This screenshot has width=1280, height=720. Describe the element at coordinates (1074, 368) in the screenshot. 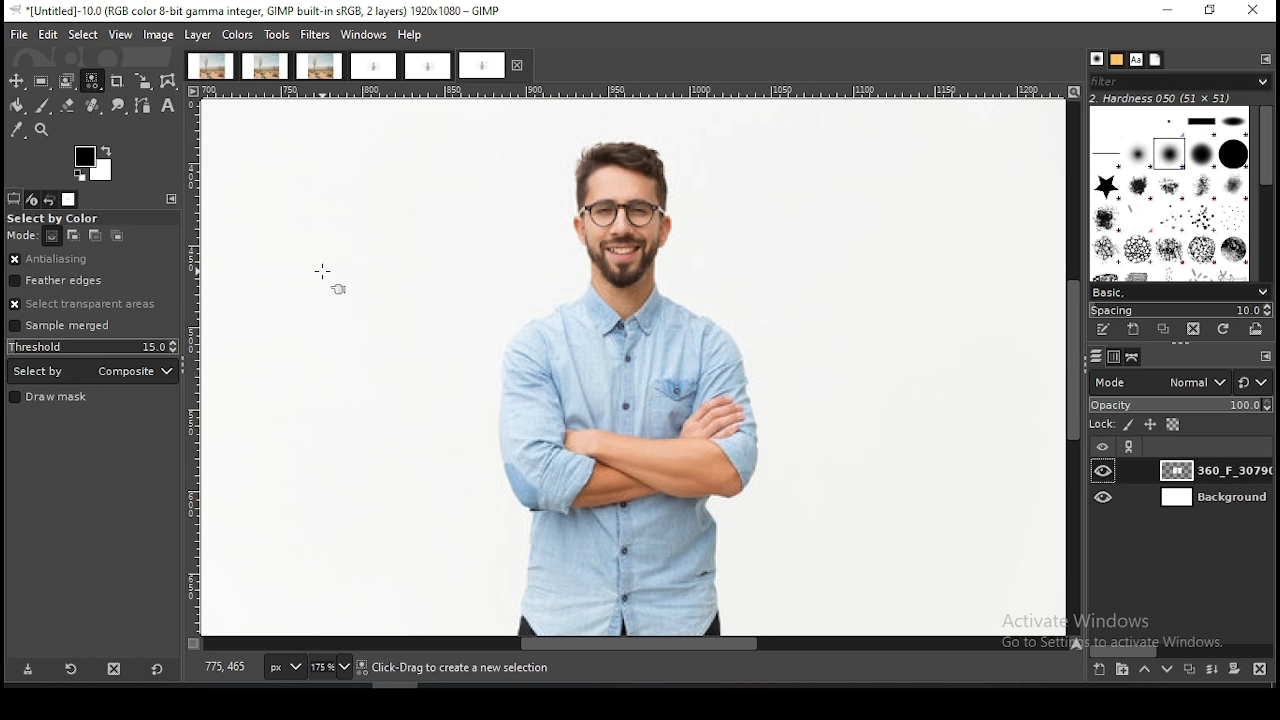

I see `scroll bar` at that location.